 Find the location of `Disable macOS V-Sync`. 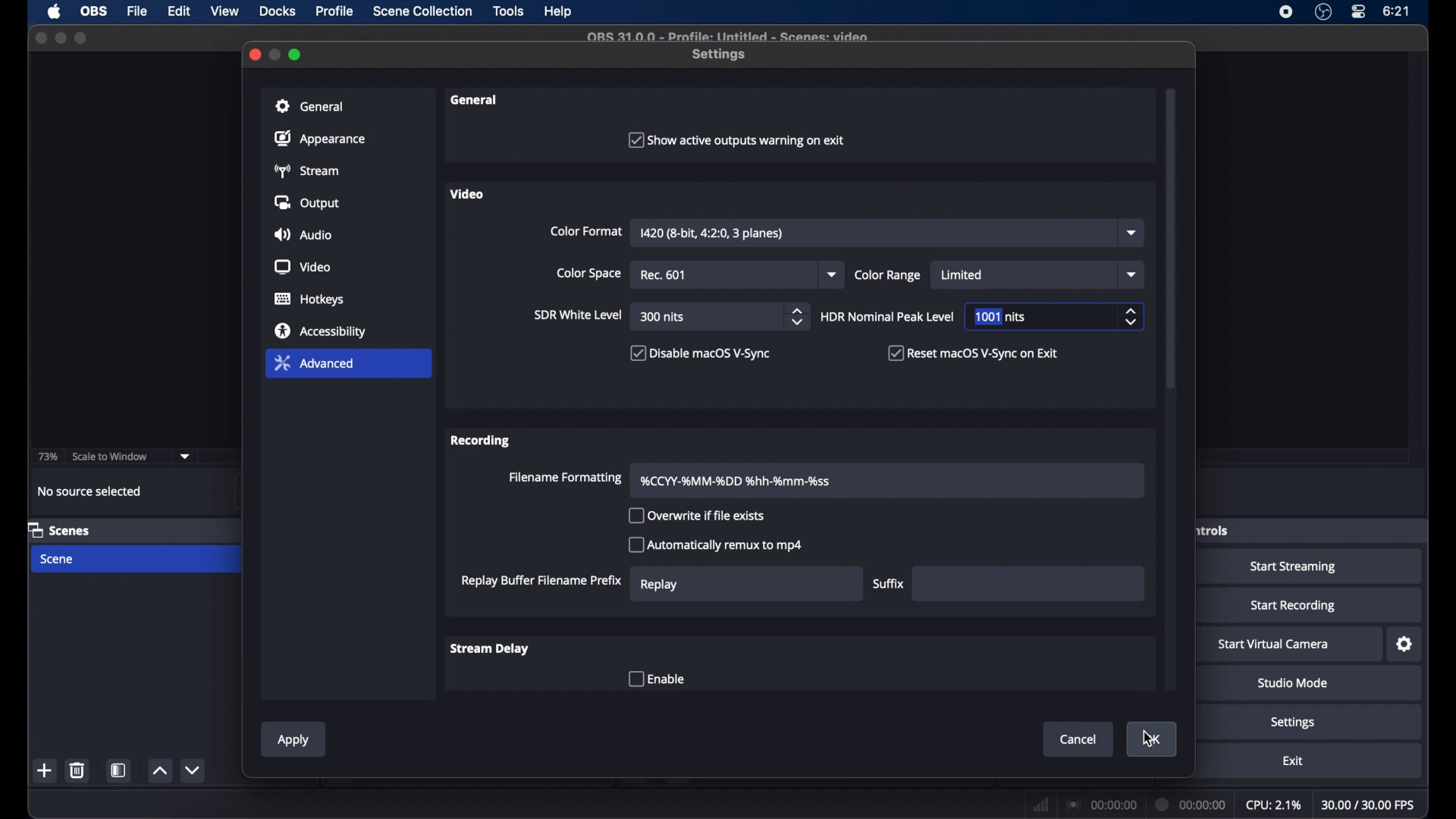

Disable macOS V-Sync is located at coordinates (701, 356).